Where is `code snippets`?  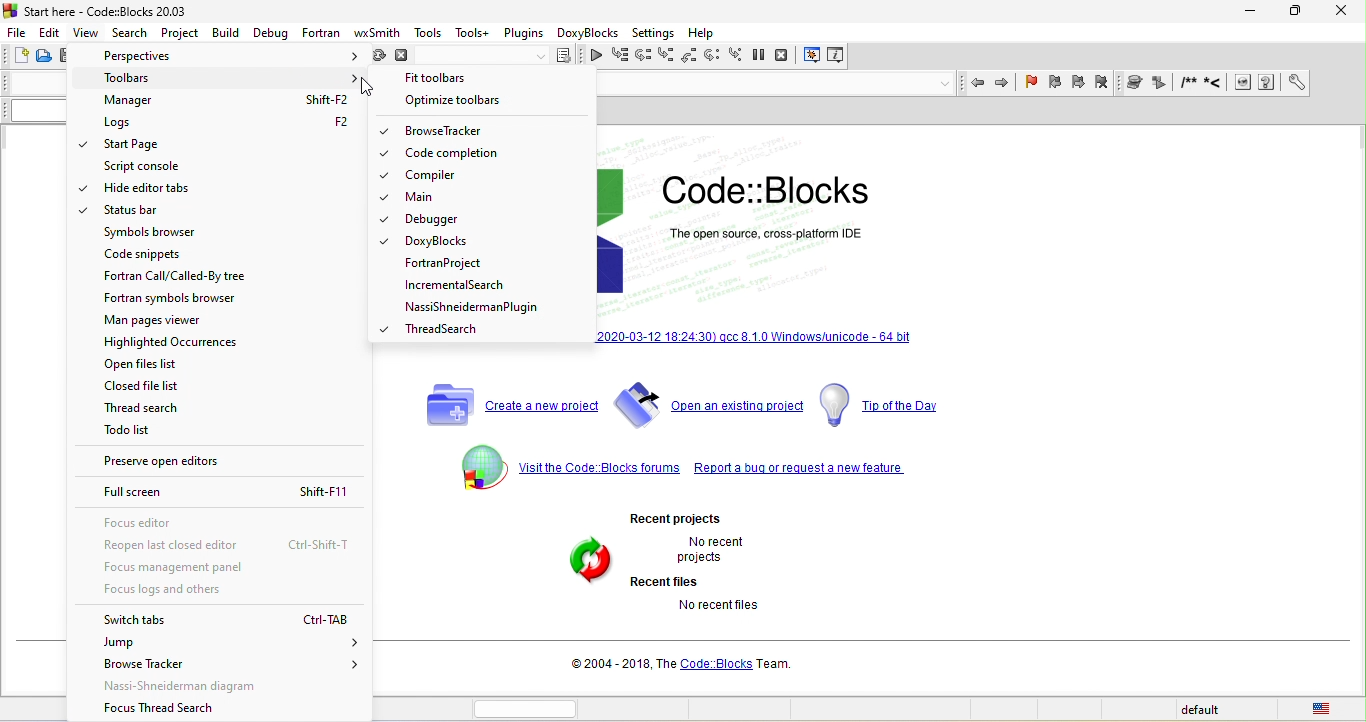
code snippets is located at coordinates (169, 255).